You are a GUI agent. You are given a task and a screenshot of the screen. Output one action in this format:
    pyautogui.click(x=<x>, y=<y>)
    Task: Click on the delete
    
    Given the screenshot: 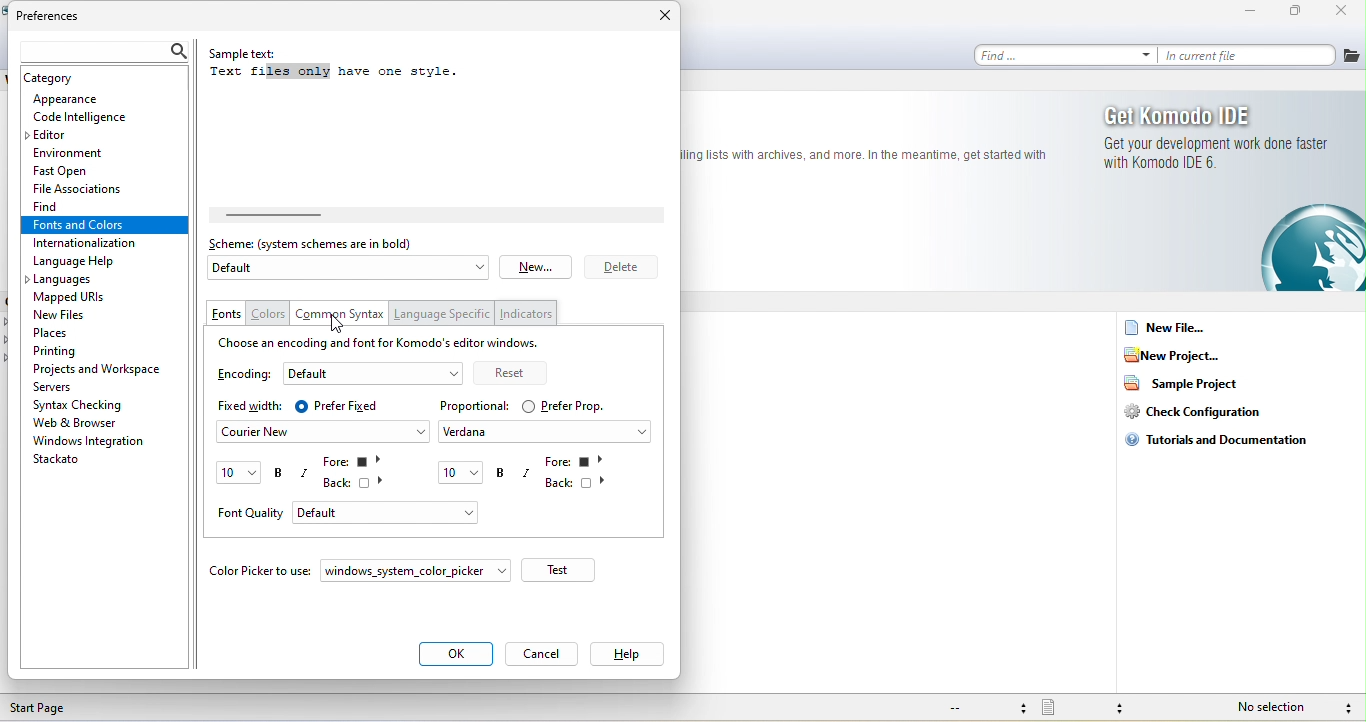 What is the action you would take?
    pyautogui.click(x=621, y=267)
    